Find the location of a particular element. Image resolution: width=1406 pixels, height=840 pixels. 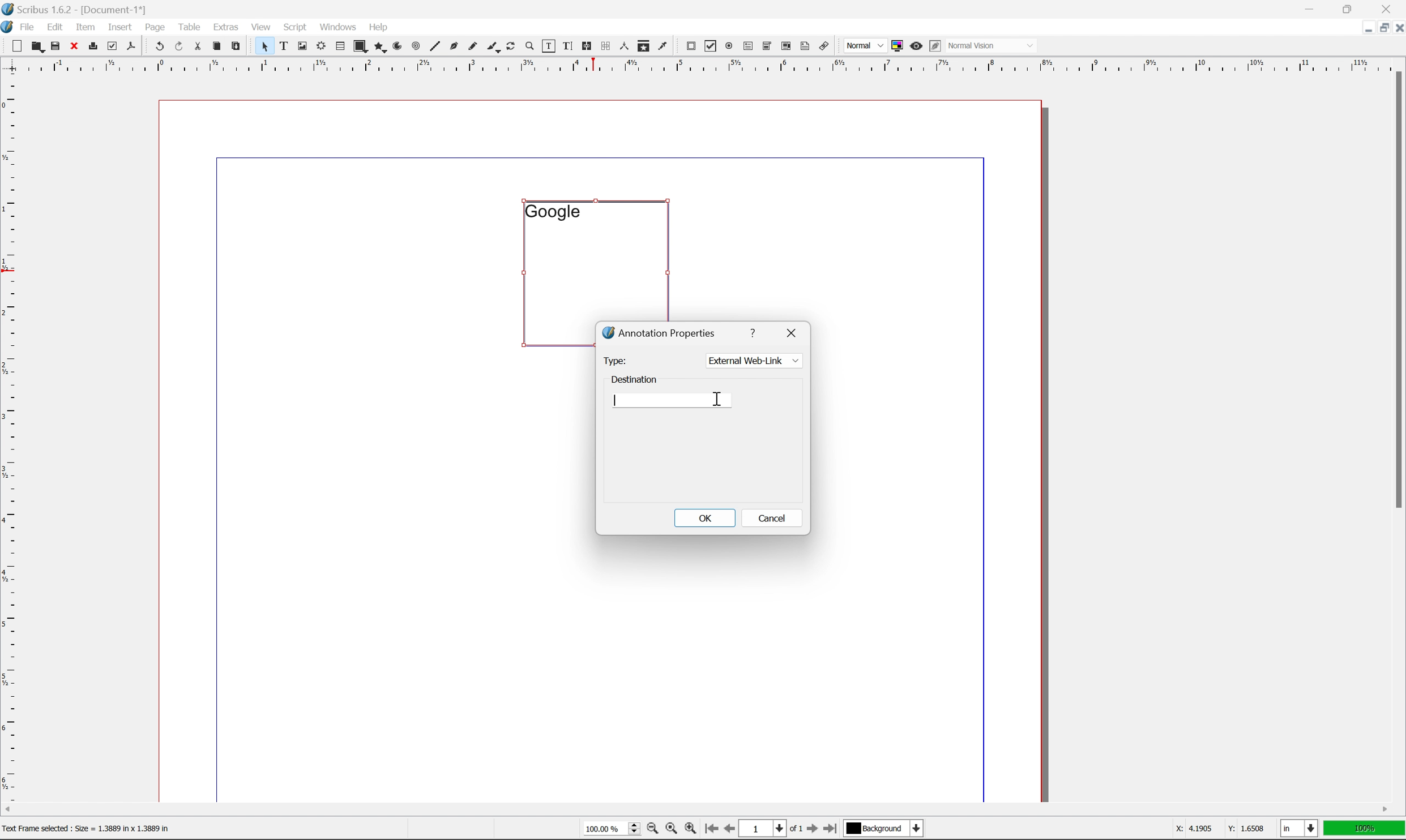

type: is located at coordinates (614, 360).